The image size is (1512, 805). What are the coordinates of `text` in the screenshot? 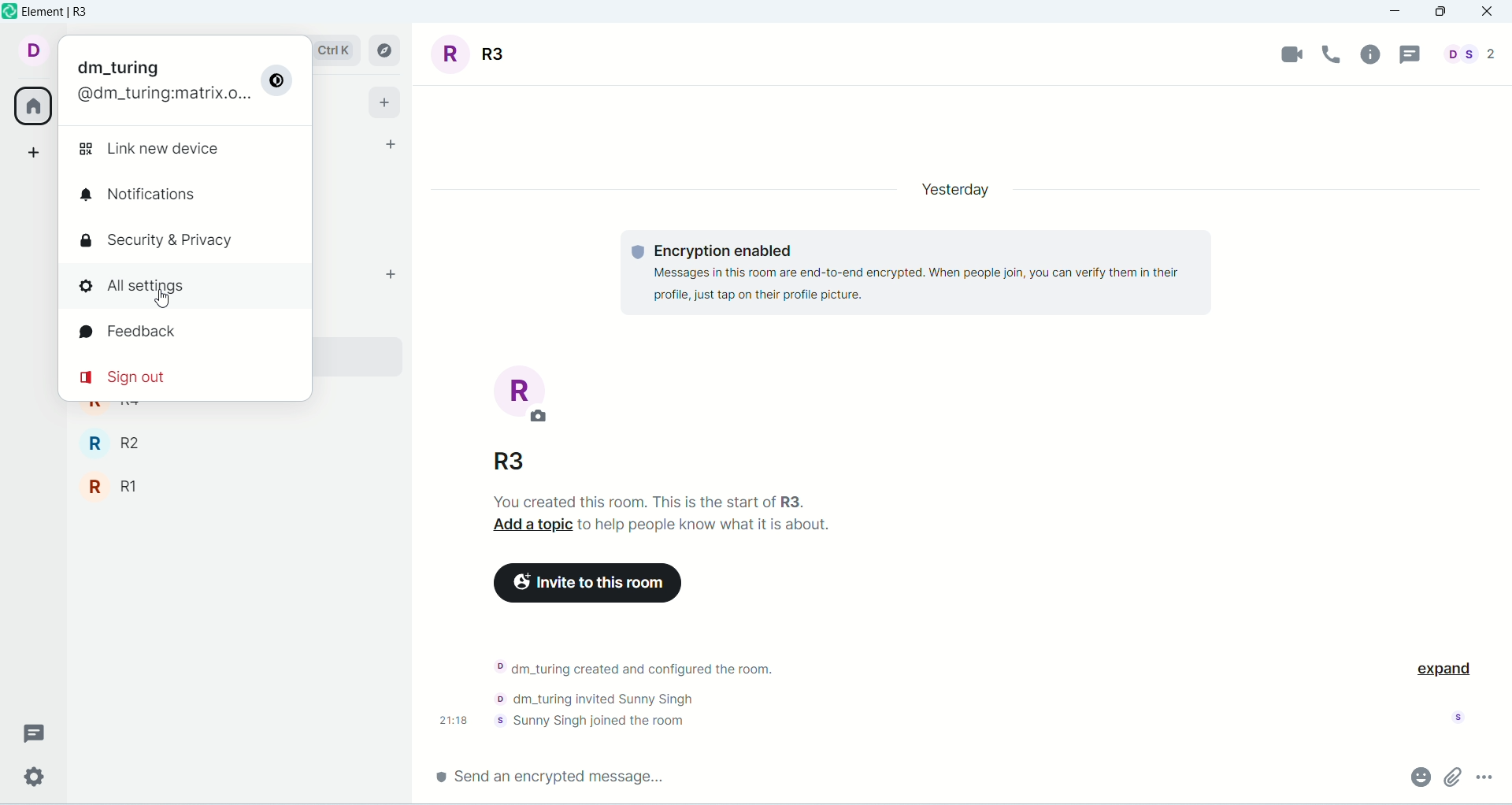 It's located at (669, 516).